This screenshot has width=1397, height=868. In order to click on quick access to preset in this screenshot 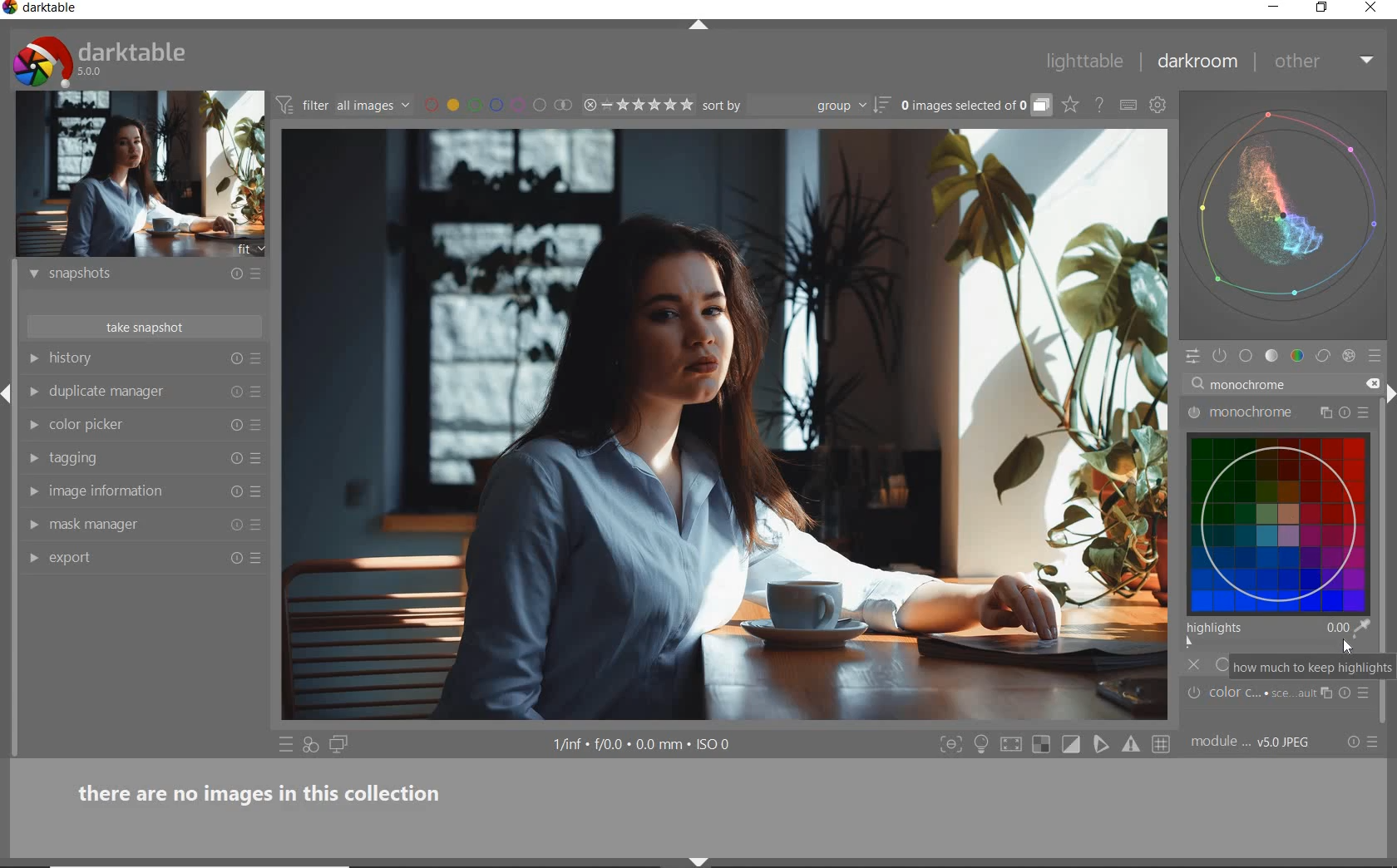, I will do `click(286, 744)`.